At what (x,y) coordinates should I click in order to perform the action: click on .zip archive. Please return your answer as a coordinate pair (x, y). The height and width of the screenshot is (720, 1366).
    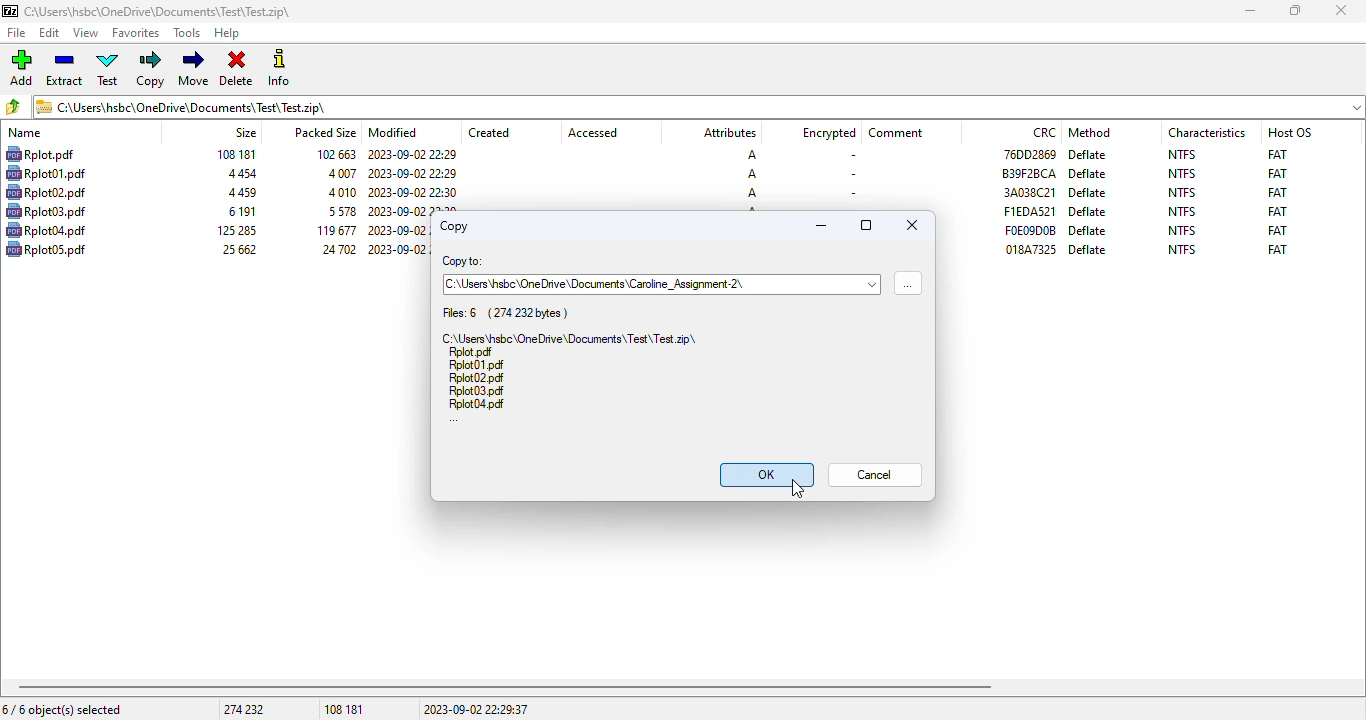
    Looking at the image, I should click on (157, 11).